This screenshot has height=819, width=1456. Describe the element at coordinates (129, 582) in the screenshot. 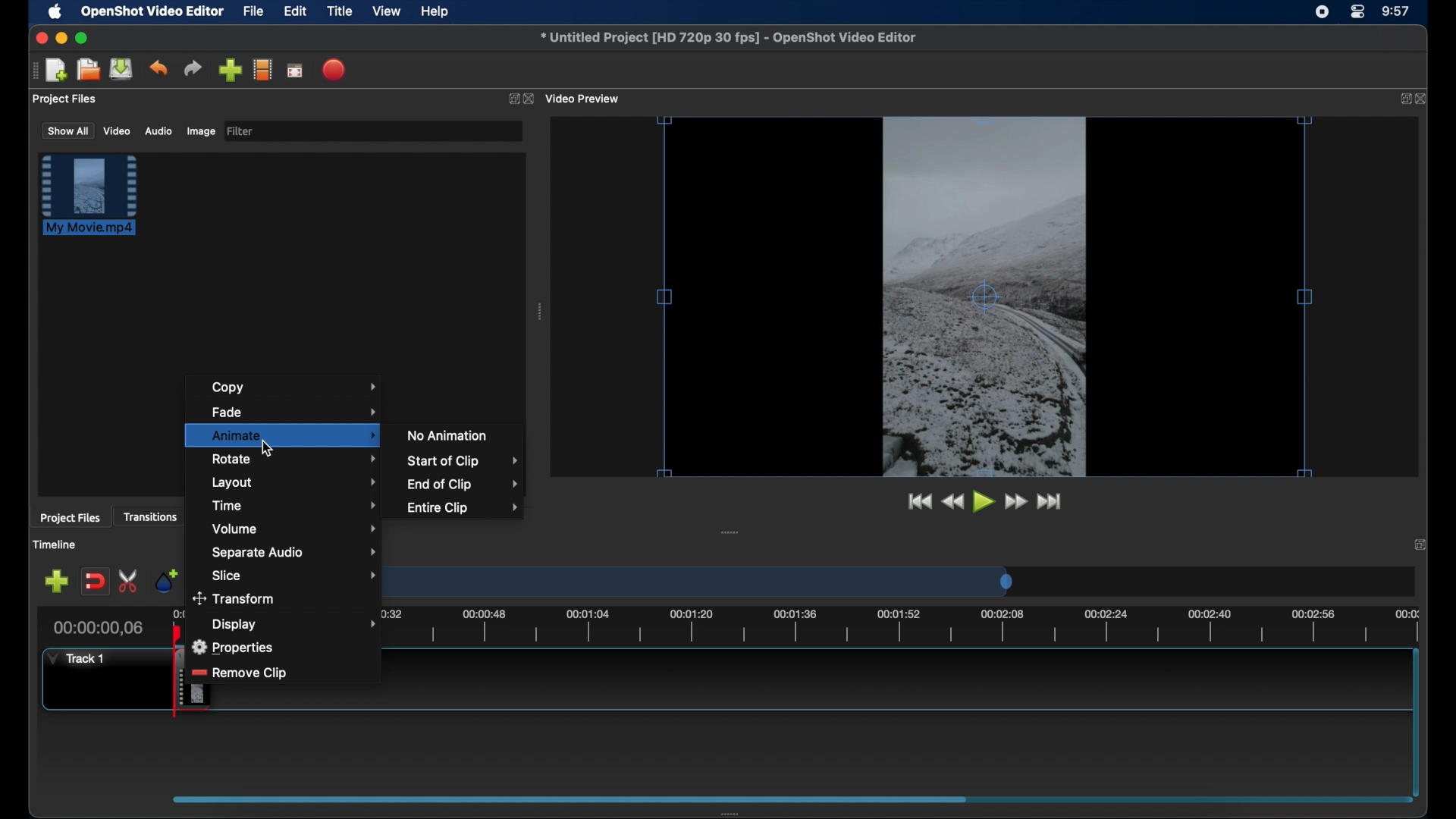

I see `enable razor` at that location.